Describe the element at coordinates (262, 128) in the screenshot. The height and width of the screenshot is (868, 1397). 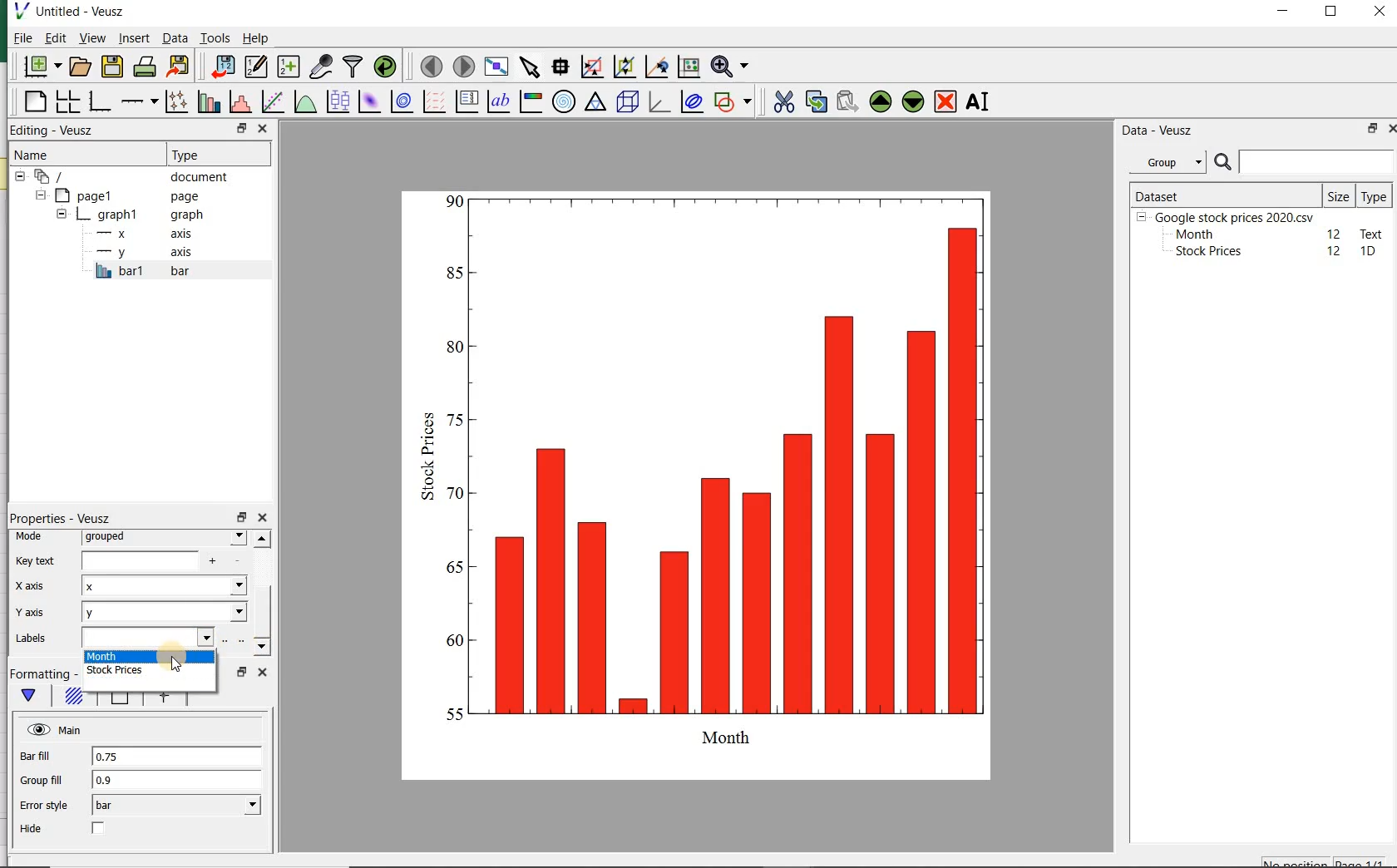
I see `close` at that location.